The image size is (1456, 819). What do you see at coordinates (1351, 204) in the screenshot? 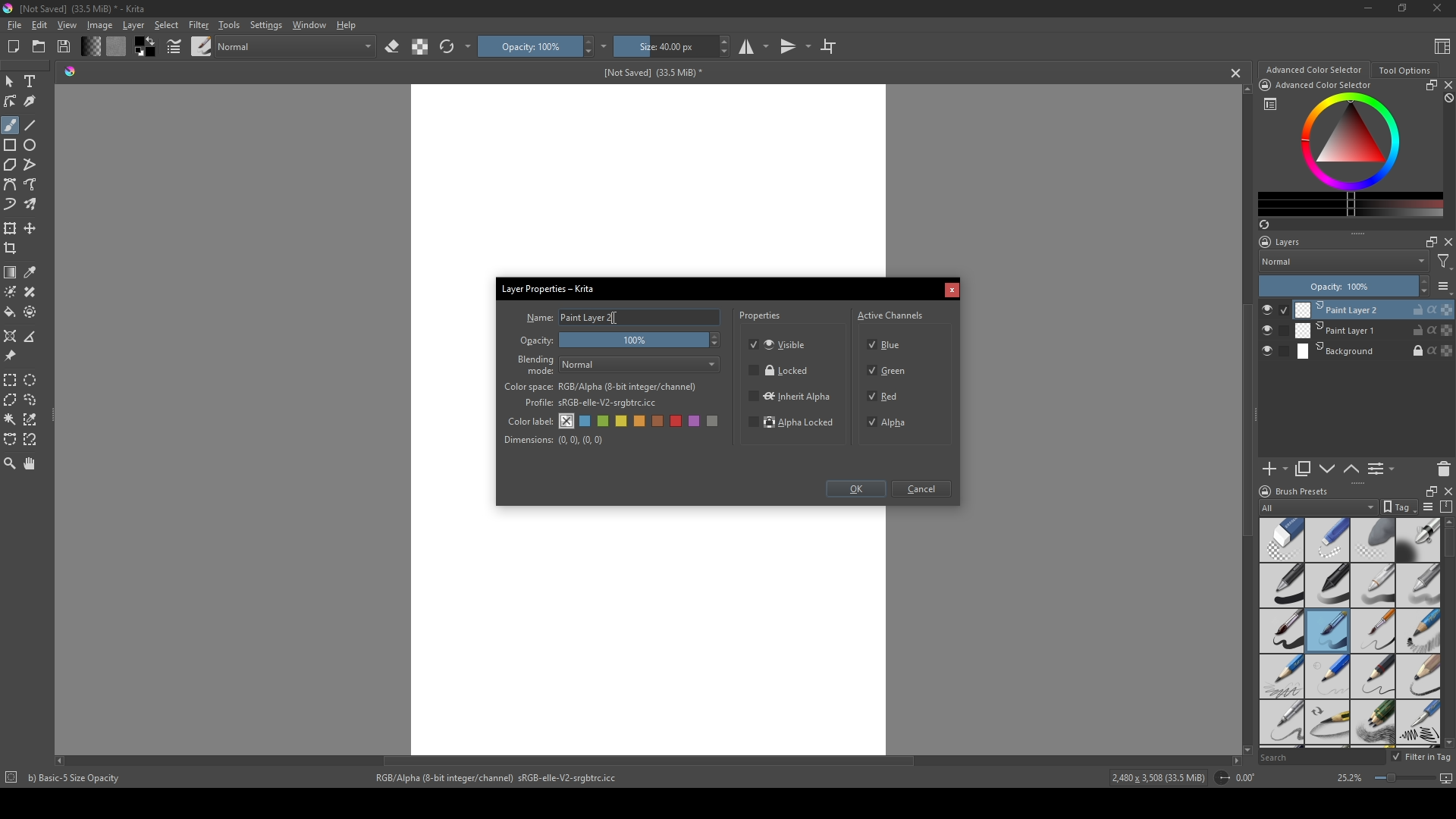
I see `change color` at bounding box center [1351, 204].